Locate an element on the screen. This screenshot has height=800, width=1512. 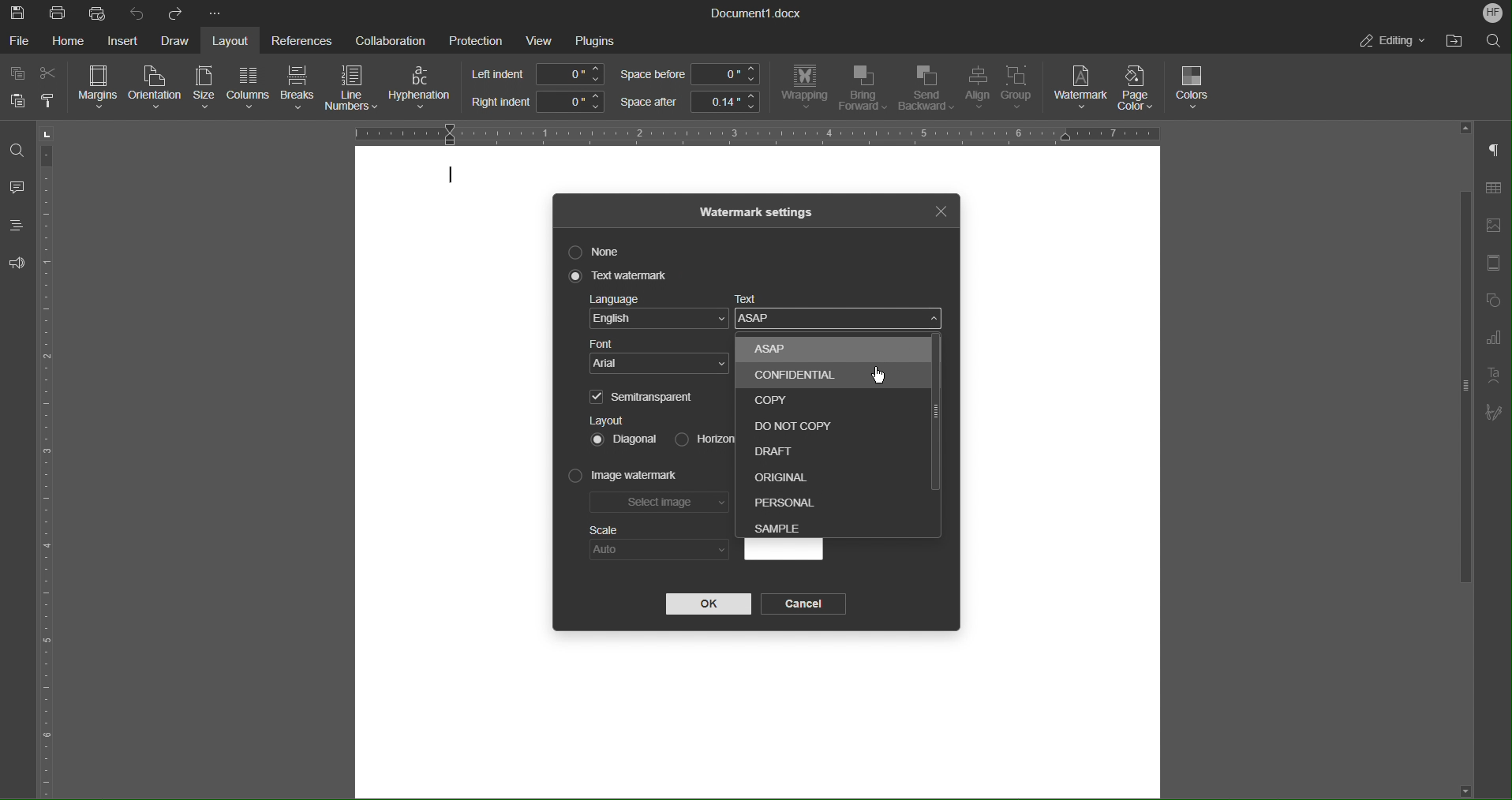
Original is located at coordinates (781, 473).